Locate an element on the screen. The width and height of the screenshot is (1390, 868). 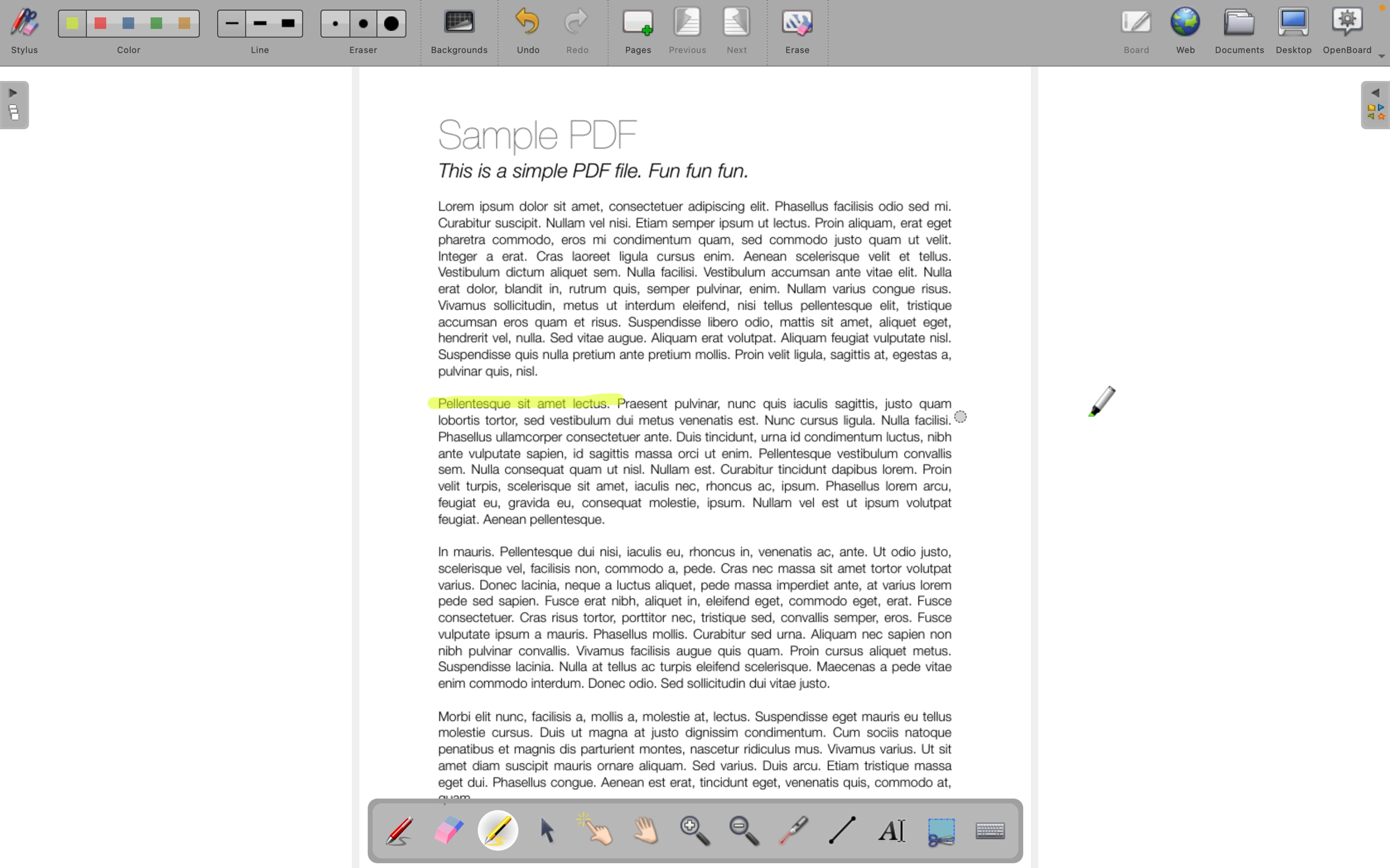
scroll by hand is located at coordinates (653, 831).